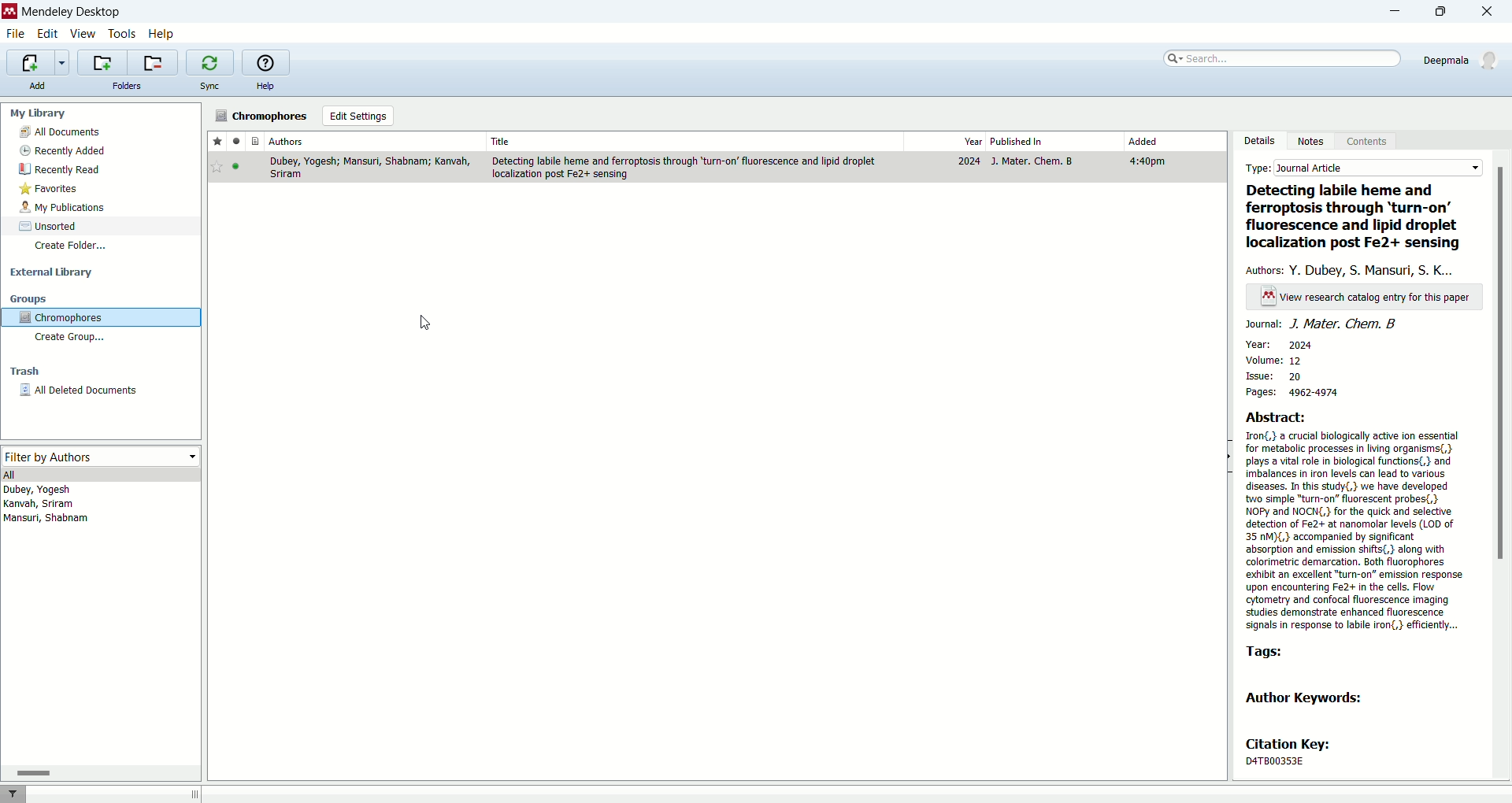  I want to click on volume: 12, so click(1272, 361).